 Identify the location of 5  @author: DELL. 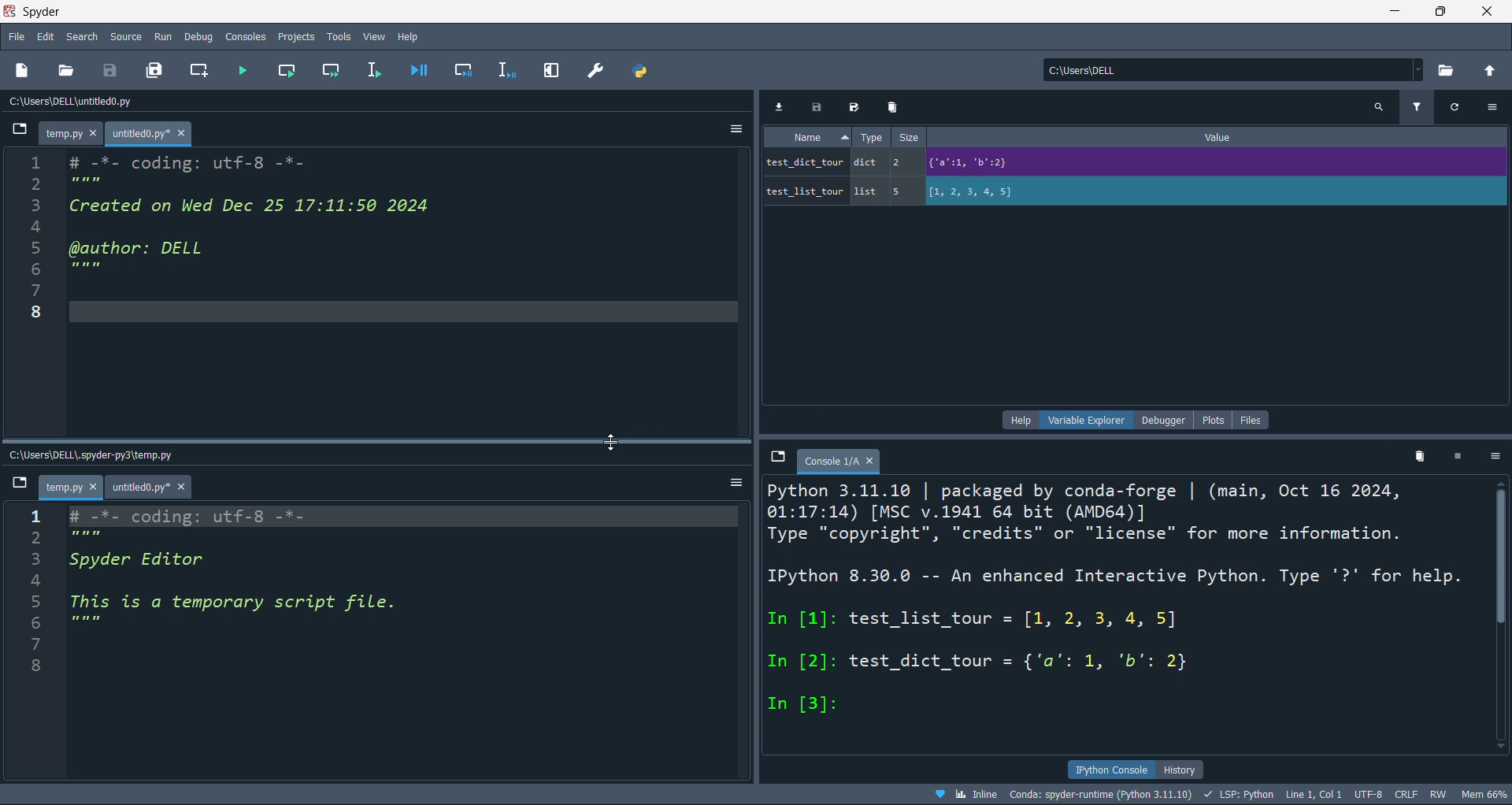
(149, 250).